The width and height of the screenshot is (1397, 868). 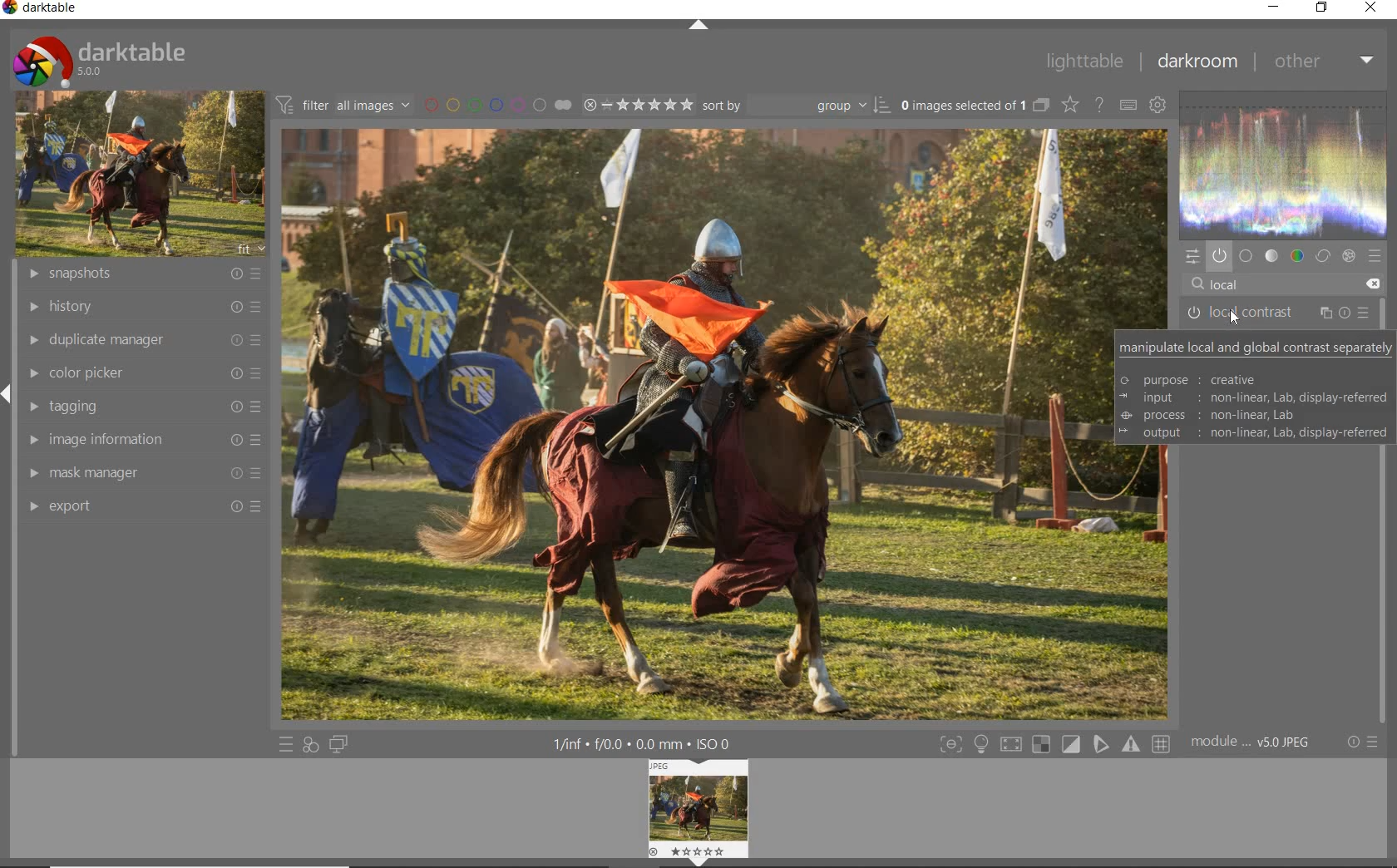 What do you see at coordinates (286, 744) in the screenshot?
I see `quick access to presets` at bounding box center [286, 744].